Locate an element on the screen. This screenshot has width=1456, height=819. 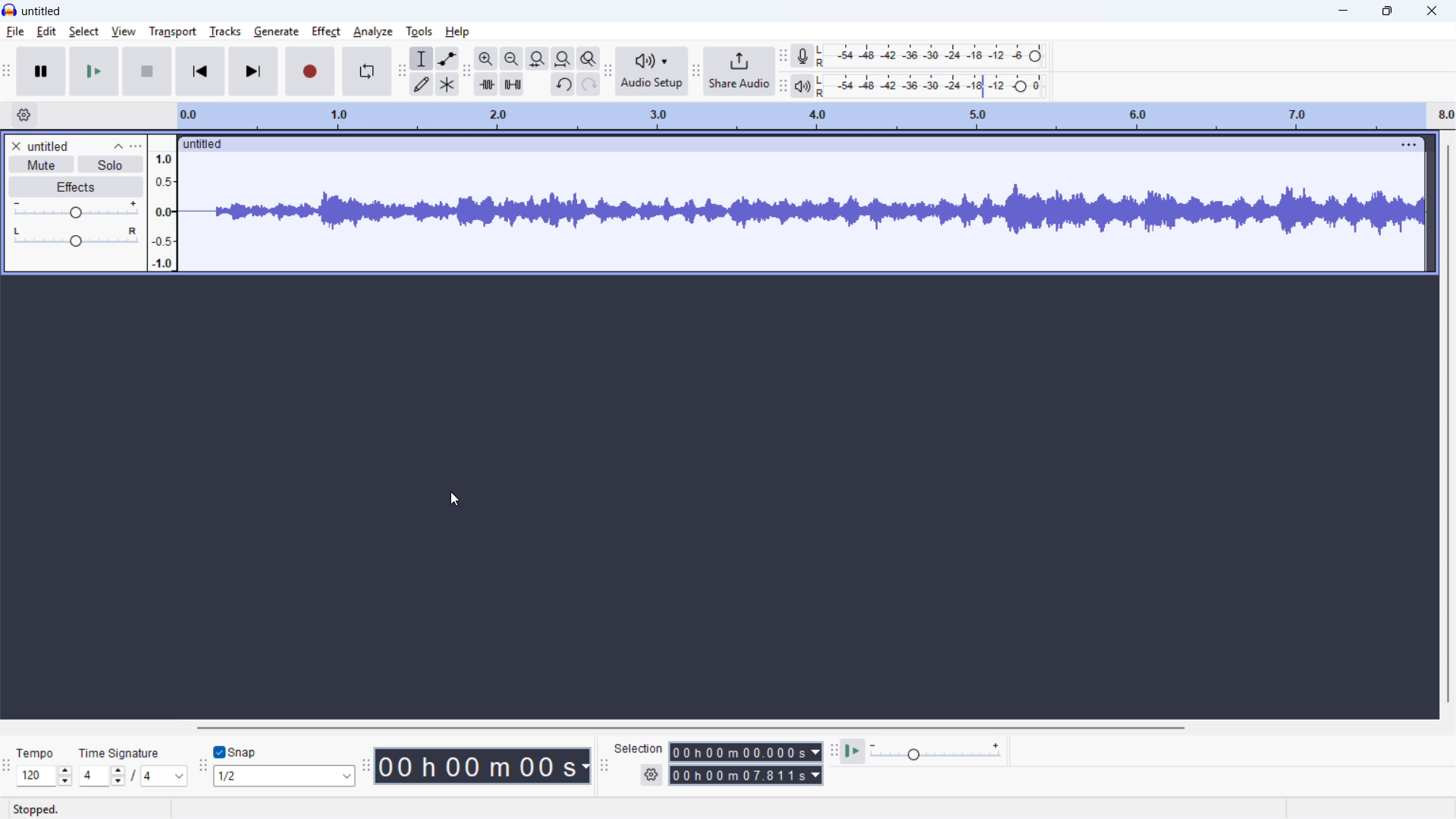
amplitude is located at coordinates (161, 202).